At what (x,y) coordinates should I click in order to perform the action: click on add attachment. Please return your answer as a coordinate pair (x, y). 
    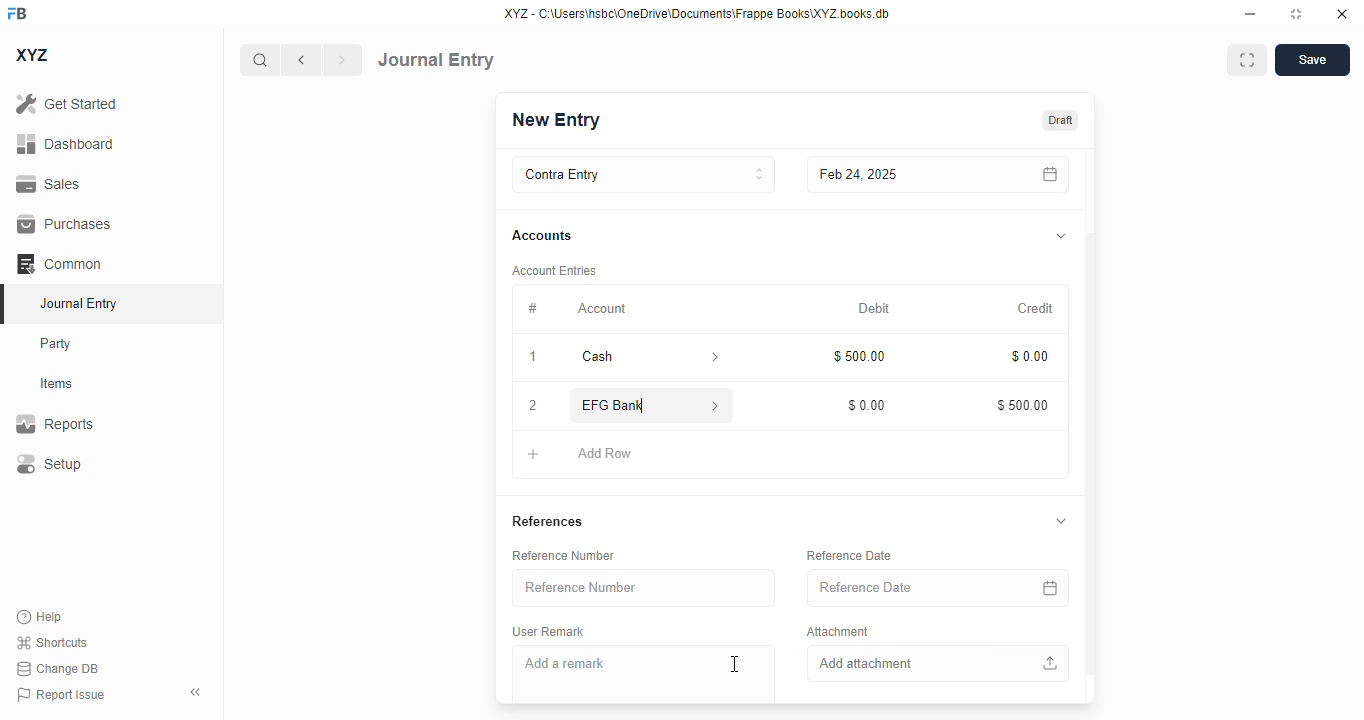
    Looking at the image, I should click on (935, 664).